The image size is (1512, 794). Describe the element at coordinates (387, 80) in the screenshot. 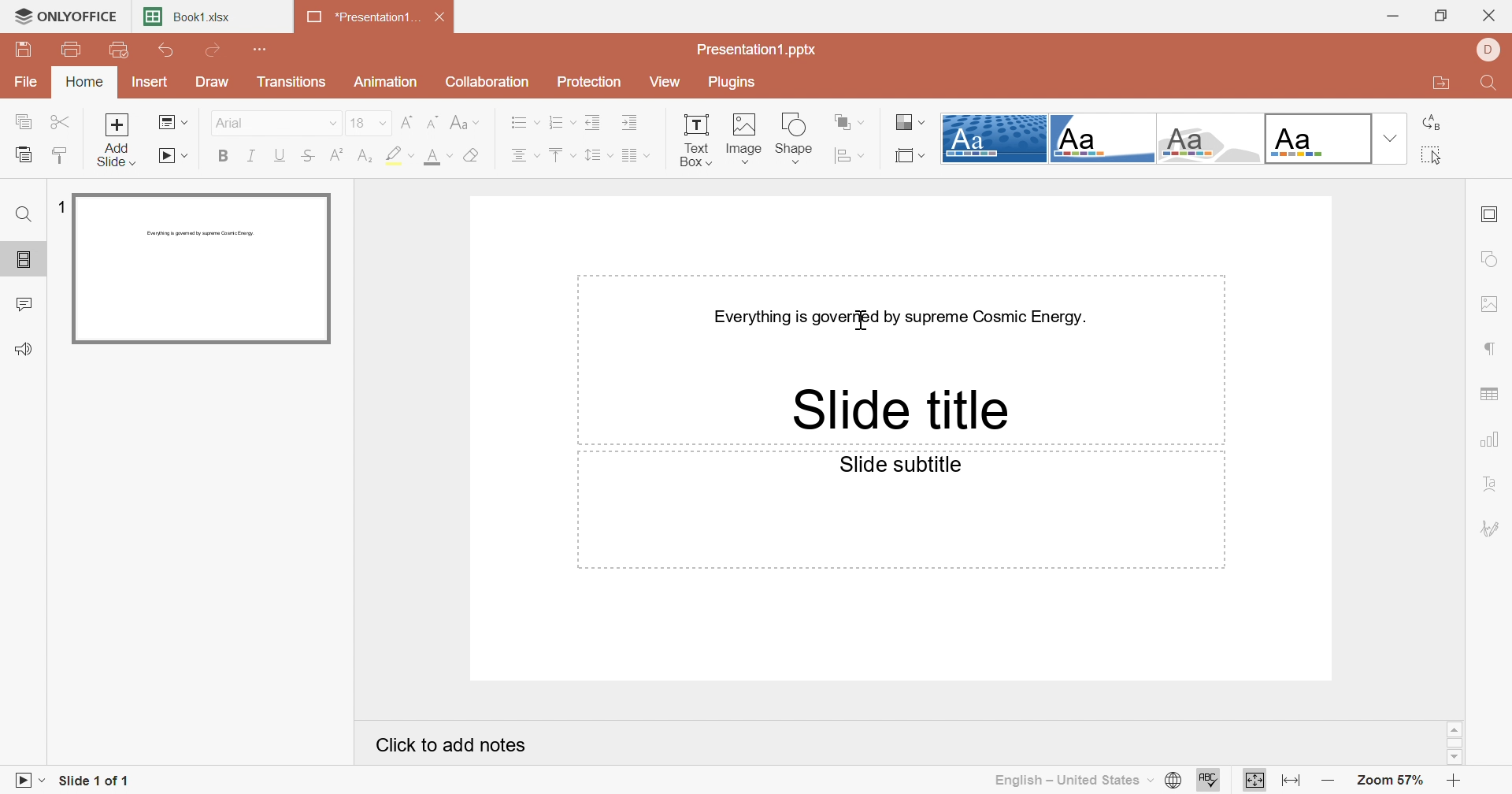

I see `Animation` at that location.